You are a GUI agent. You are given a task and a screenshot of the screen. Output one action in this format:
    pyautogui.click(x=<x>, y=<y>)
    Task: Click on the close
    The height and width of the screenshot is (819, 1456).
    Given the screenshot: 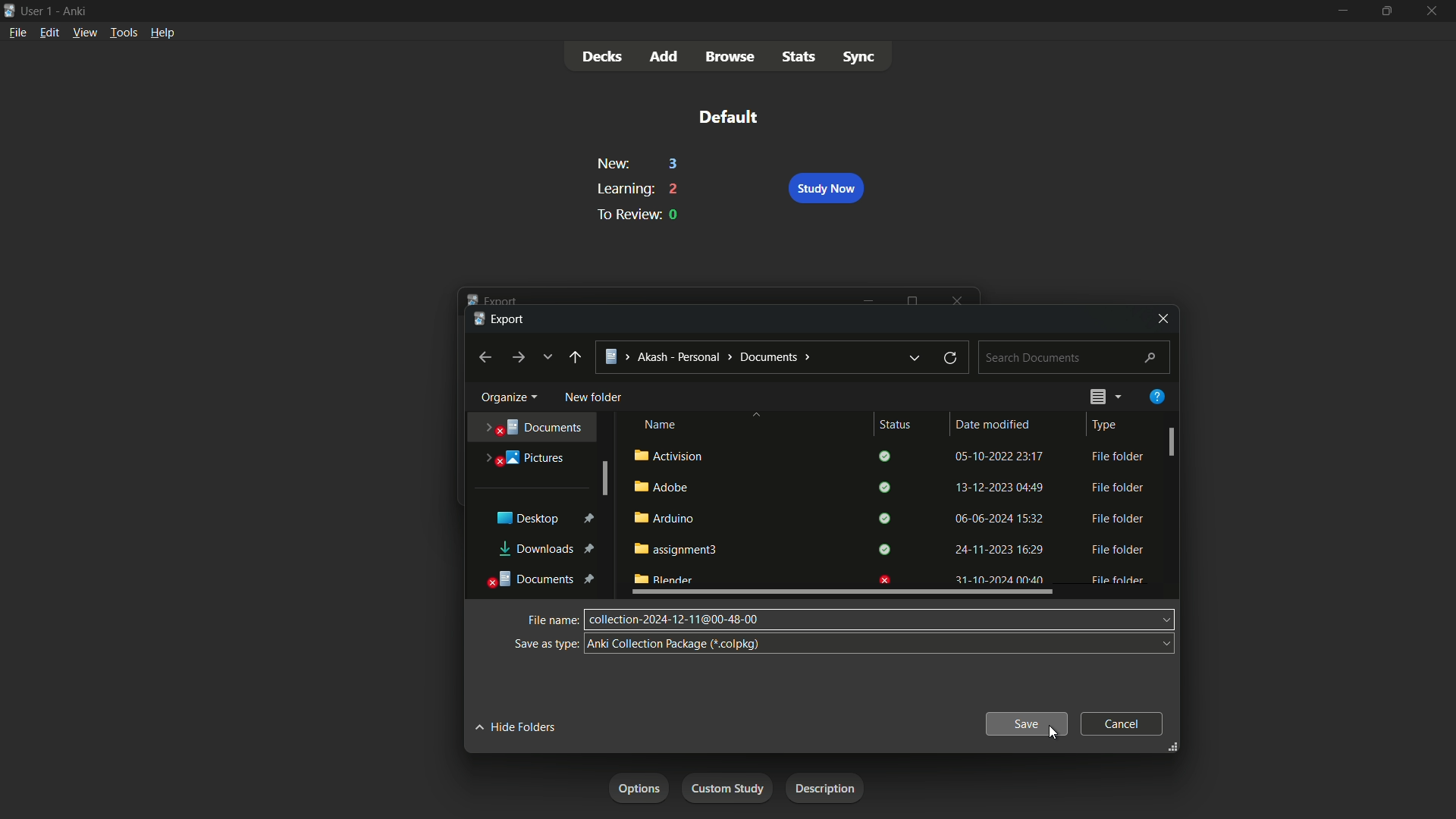 What is the action you would take?
    pyautogui.click(x=959, y=298)
    